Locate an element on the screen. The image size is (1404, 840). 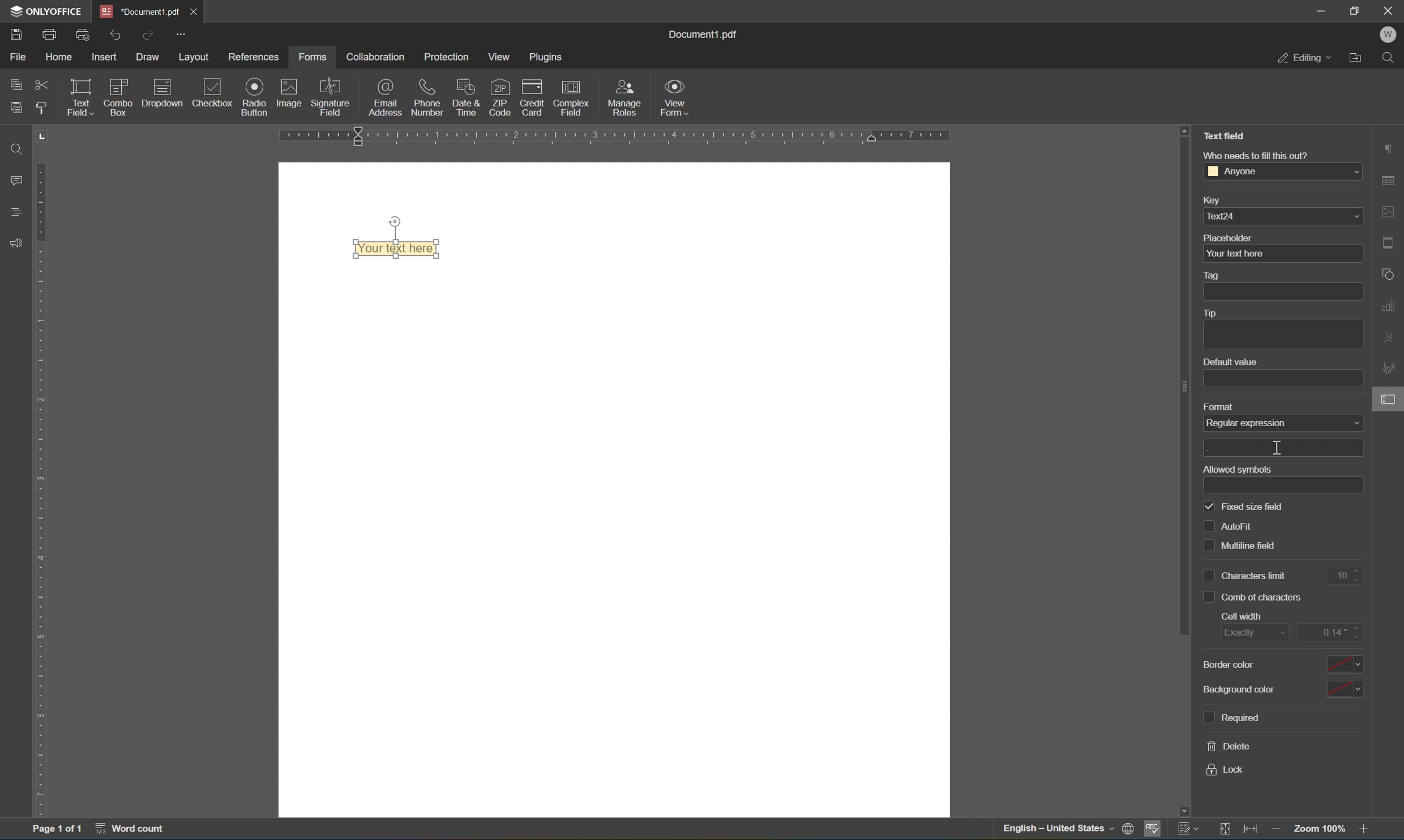
select border color is located at coordinates (1342, 663).